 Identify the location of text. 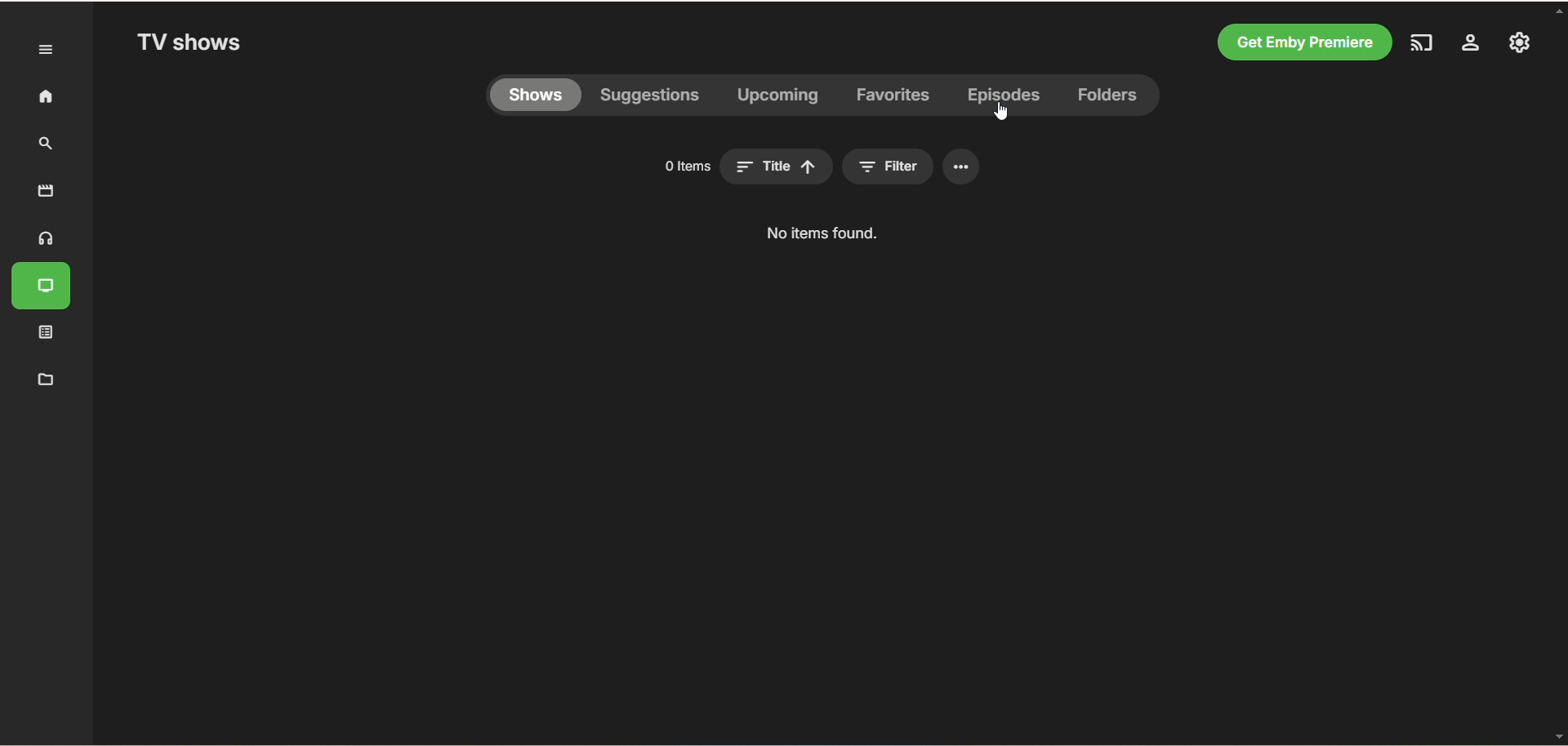
(817, 233).